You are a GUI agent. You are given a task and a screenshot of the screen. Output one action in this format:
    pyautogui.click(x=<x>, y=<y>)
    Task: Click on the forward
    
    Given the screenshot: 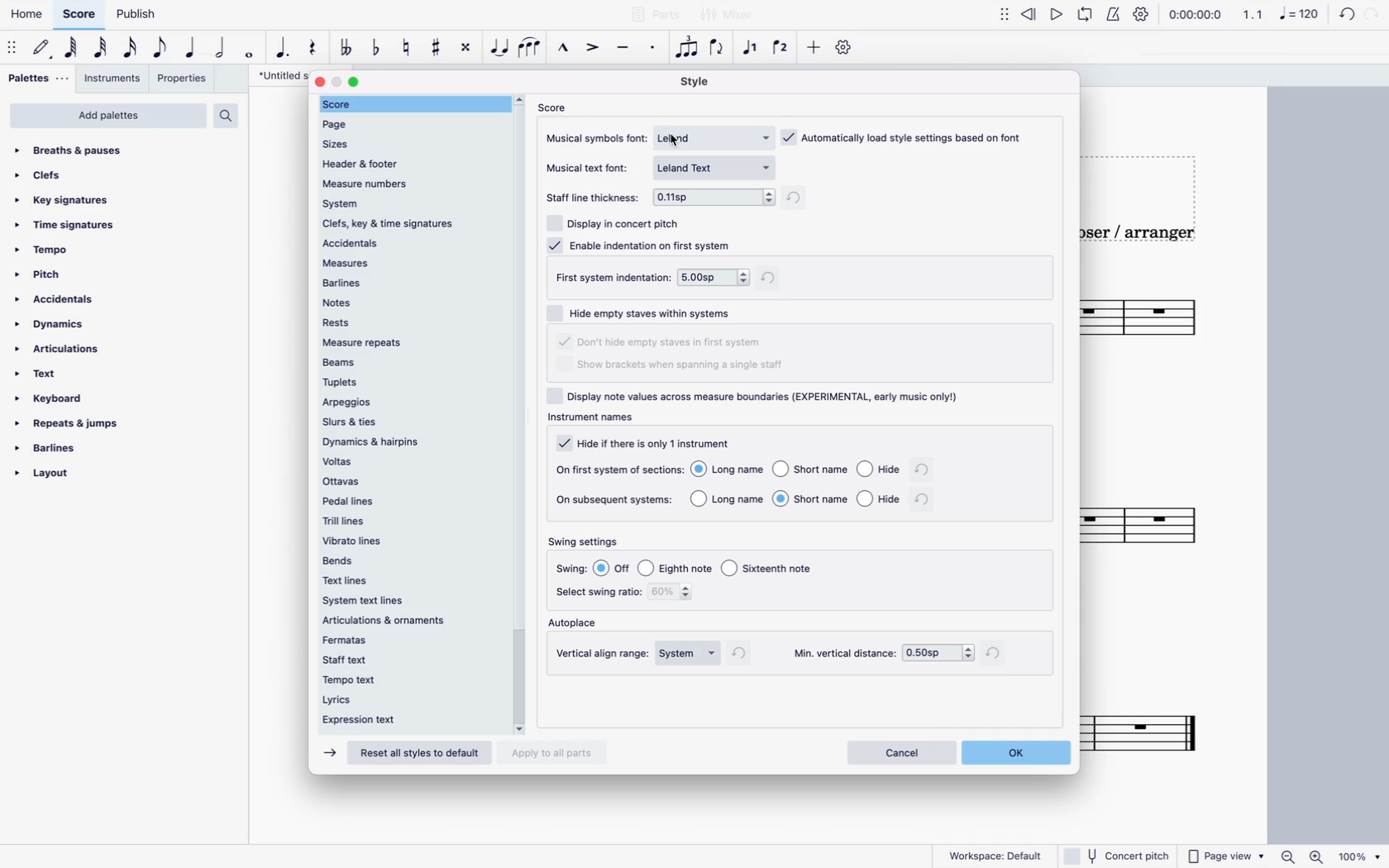 What is the action you would take?
    pyautogui.click(x=329, y=754)
    